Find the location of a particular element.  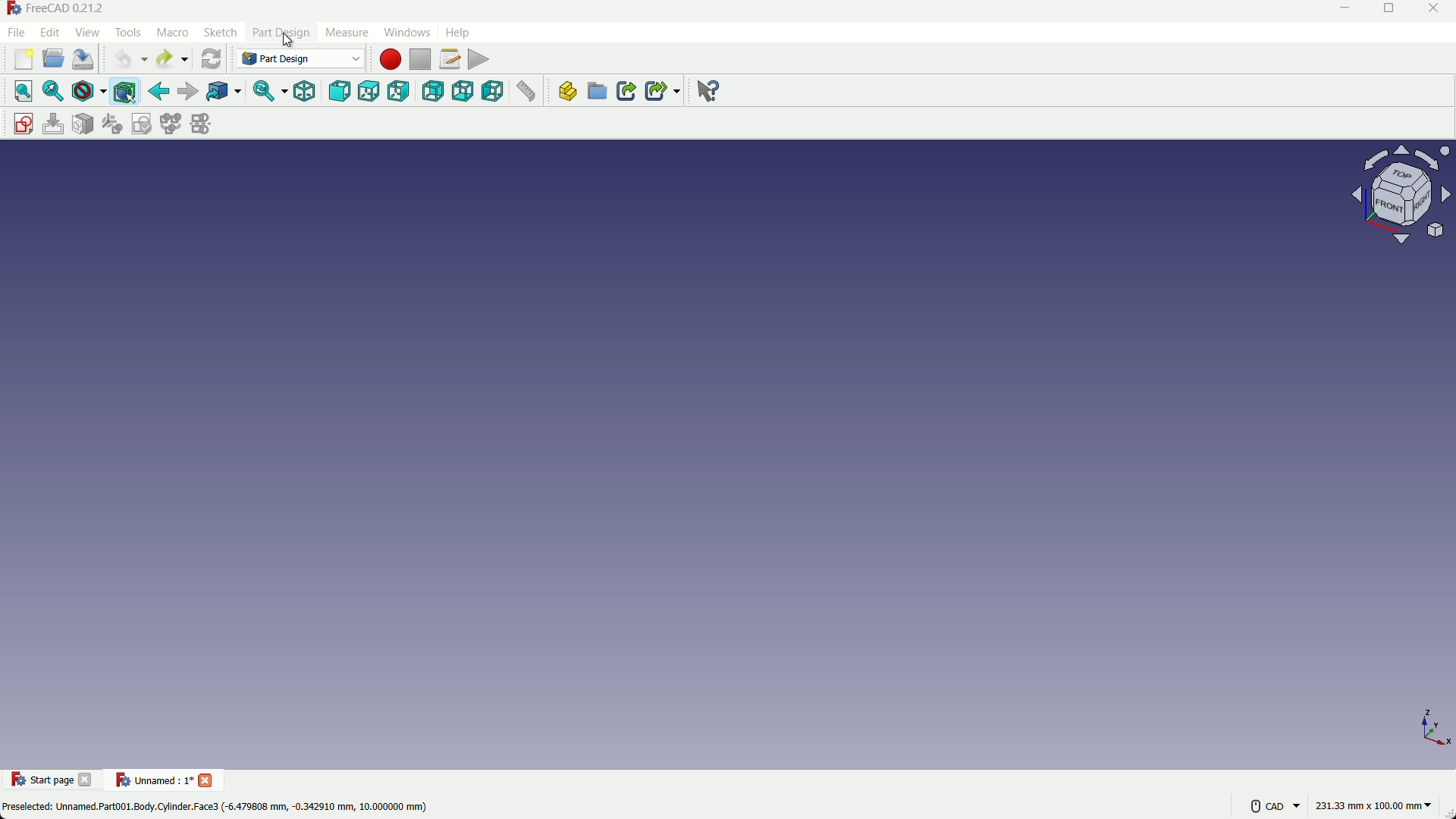

draw styles is located at coordinates (88, 92).